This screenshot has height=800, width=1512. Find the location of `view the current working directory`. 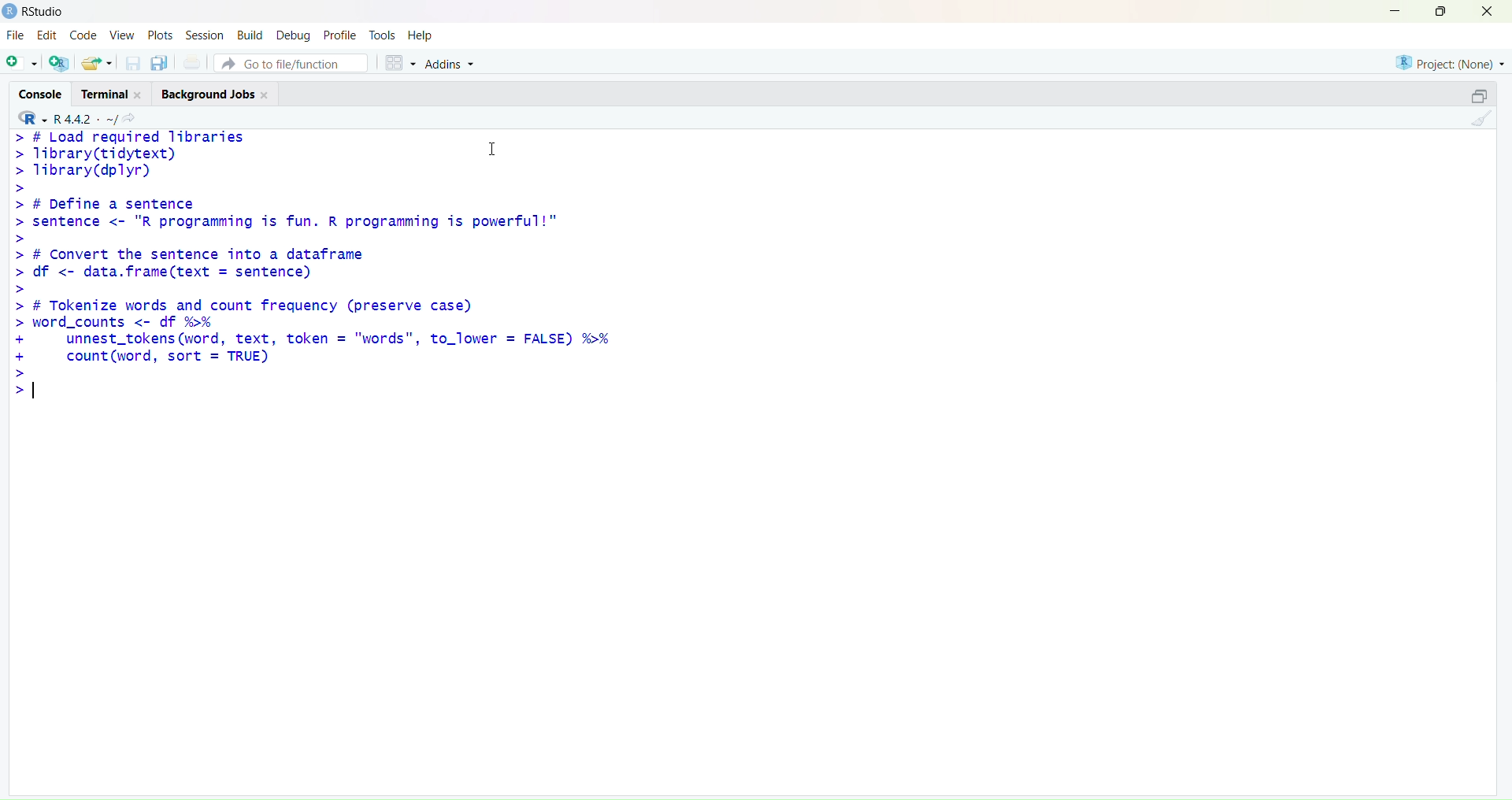

view the current working directory is located at coordinates (130, 120).